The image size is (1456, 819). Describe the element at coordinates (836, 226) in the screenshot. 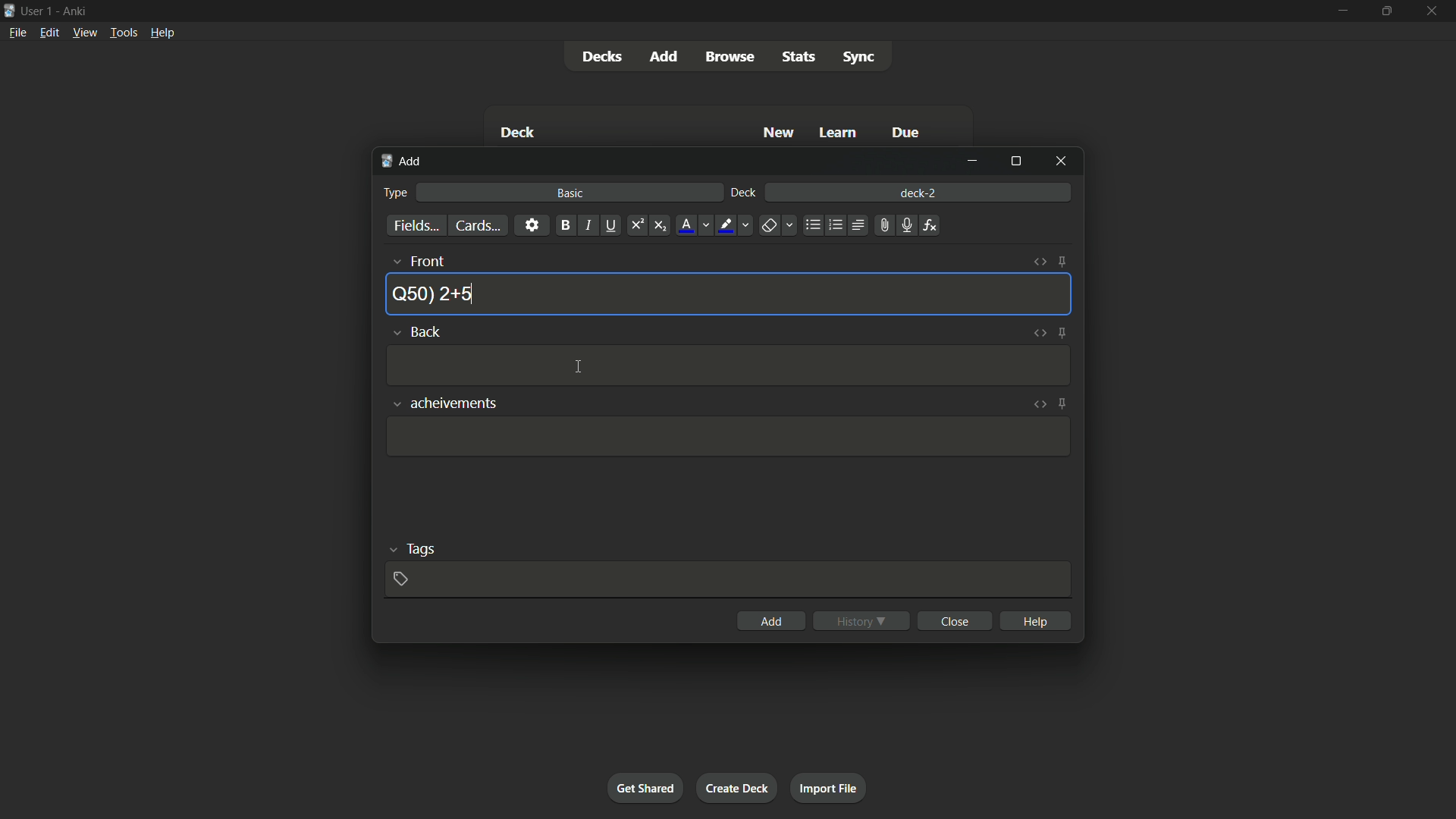

I see `ordered list` at that location.